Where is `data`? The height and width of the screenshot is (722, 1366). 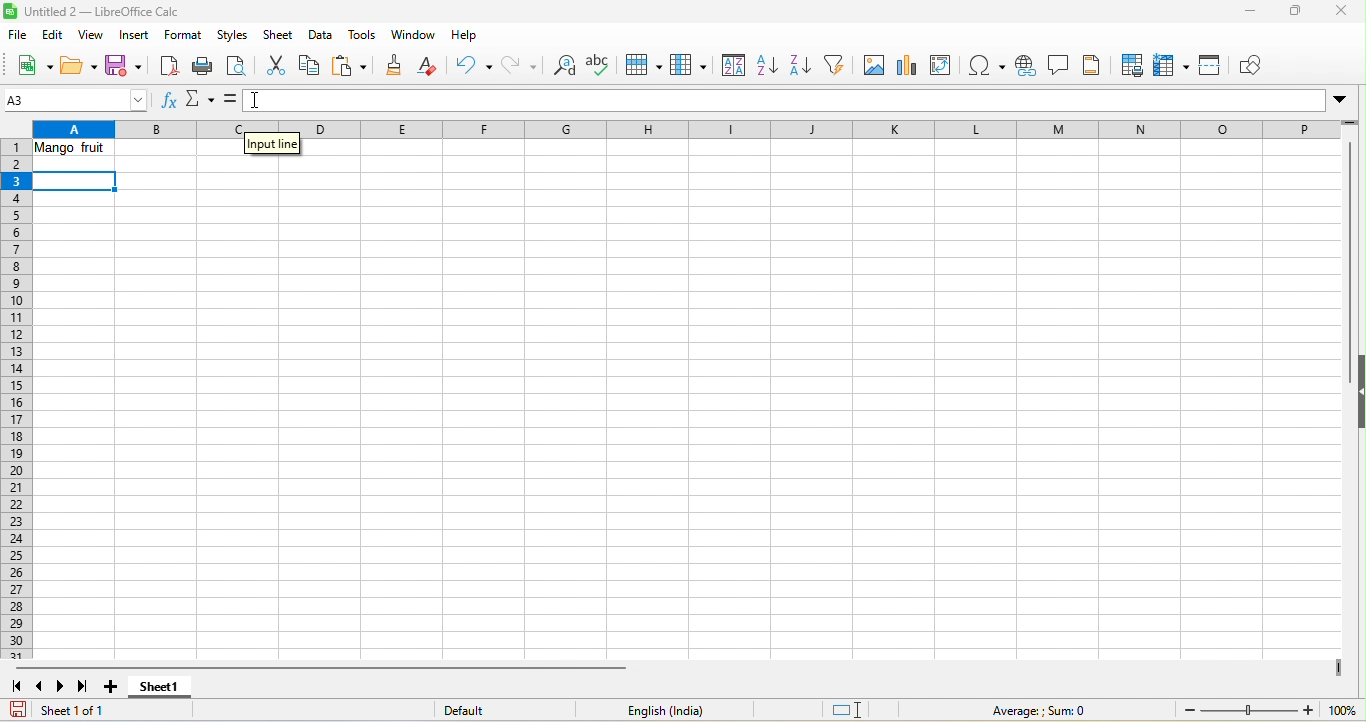 data is located at coordinates (324, 35).